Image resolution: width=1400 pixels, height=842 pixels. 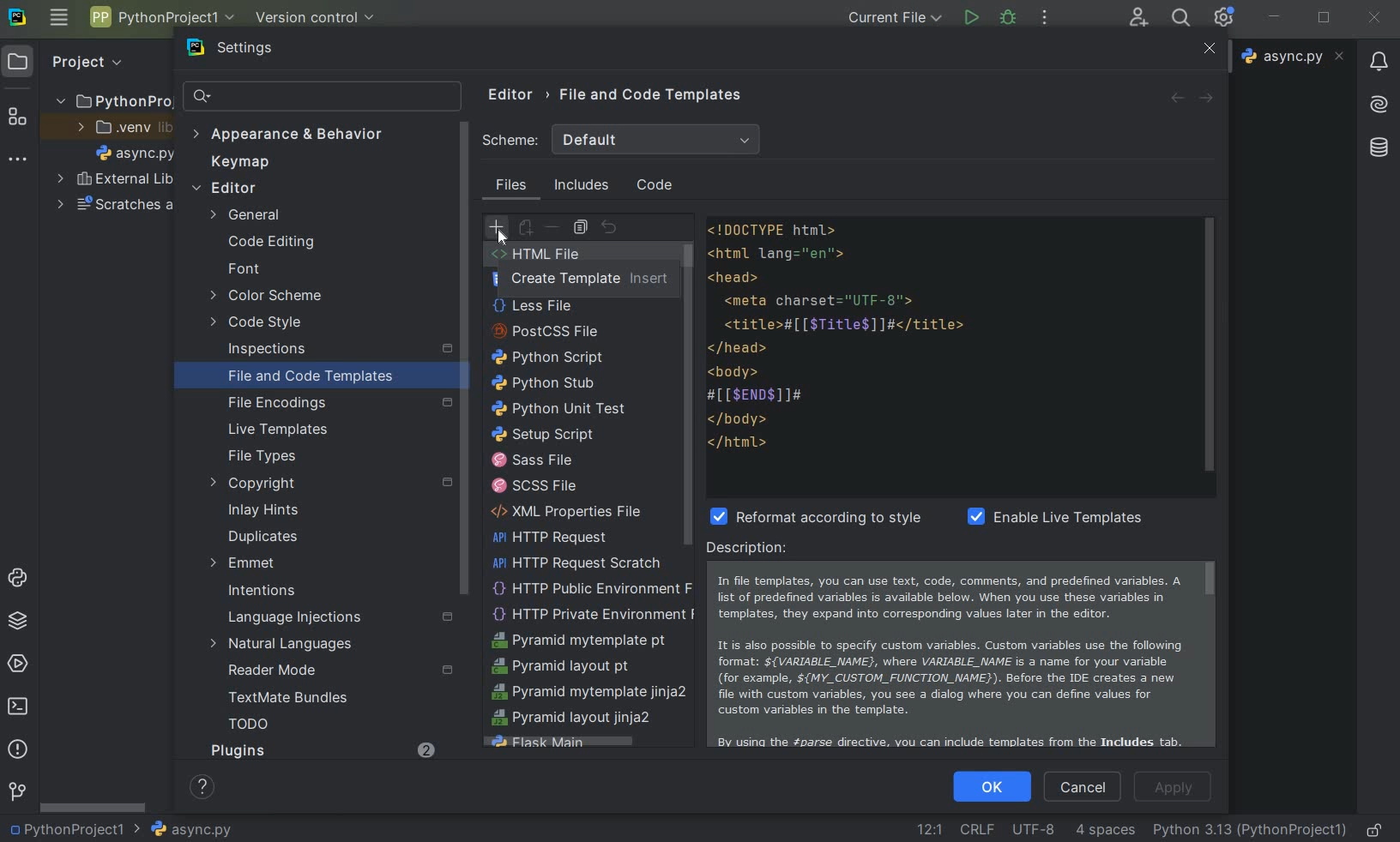 What do you see at coordinates (561, 668) in the screenshot?
I see `pyramid layout pt` at bounding box center [561, 668].